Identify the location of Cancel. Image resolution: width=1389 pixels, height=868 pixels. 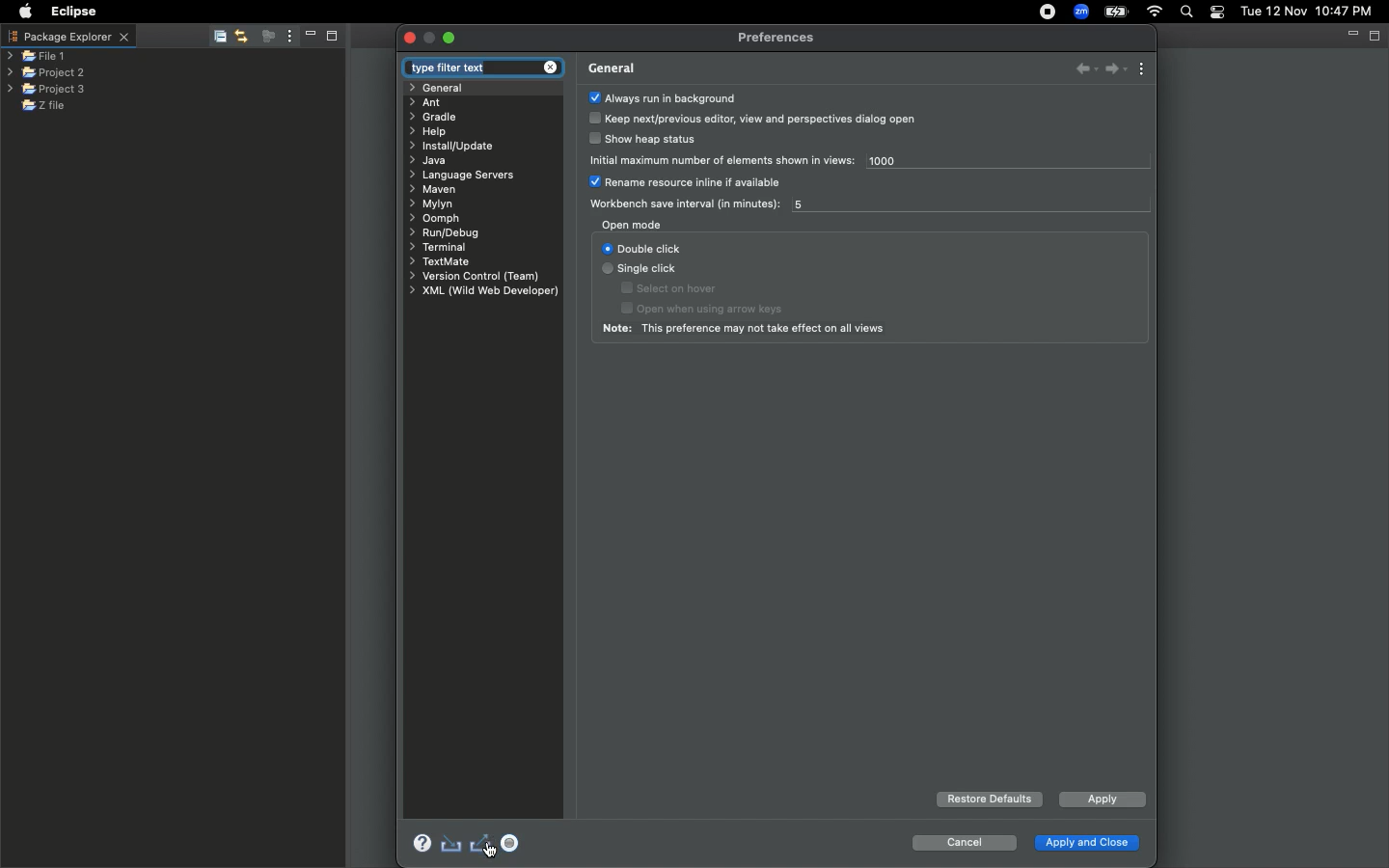
(963, 843).